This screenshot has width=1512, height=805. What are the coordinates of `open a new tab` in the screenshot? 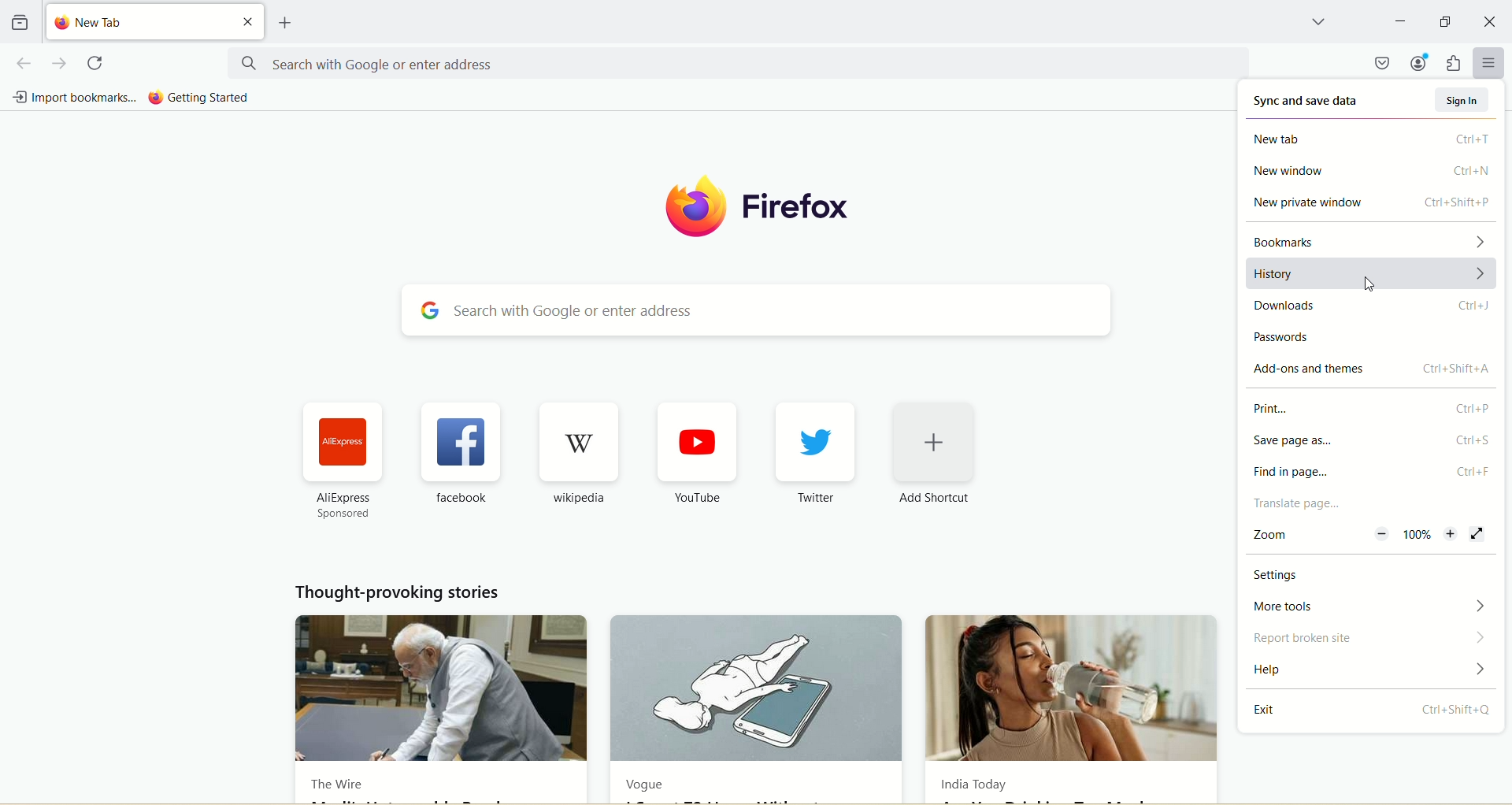 It's located at (286, 23).